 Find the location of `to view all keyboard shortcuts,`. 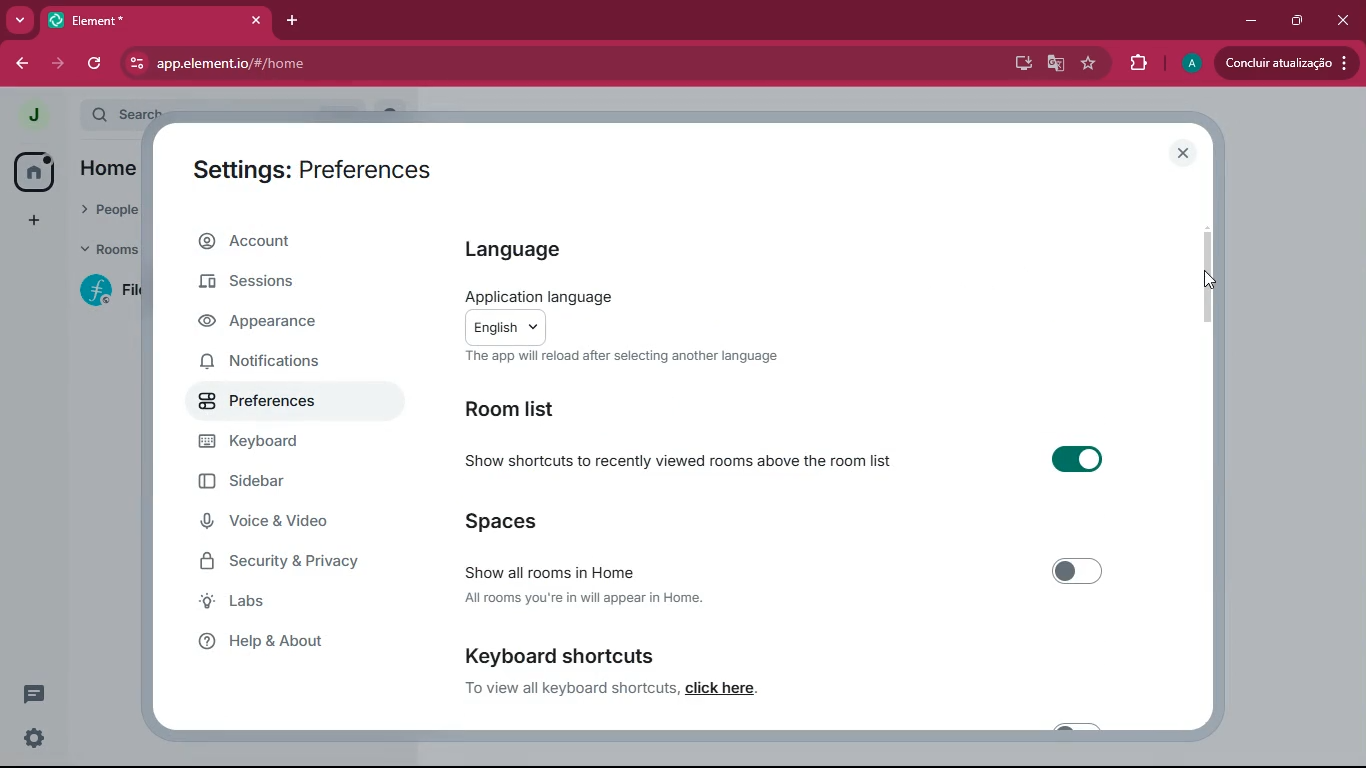

to view all keyboard shortcuts, is located at coordinates (571, 687).